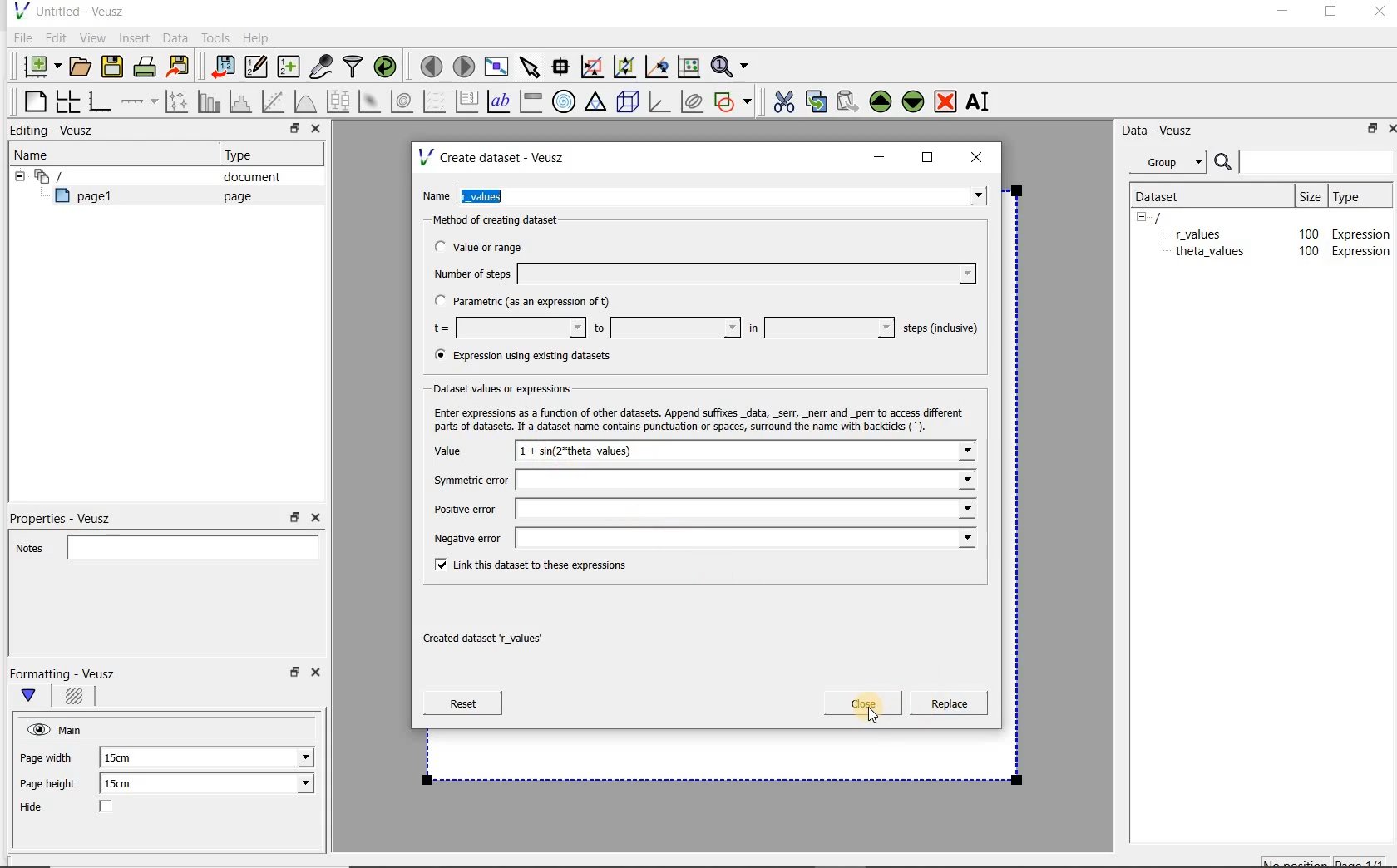 The width and height of the screenshot is (1397, 868). Describe the element at coordinates (946, 101) in the screenshot. I see `remove the selected widget` at that location.